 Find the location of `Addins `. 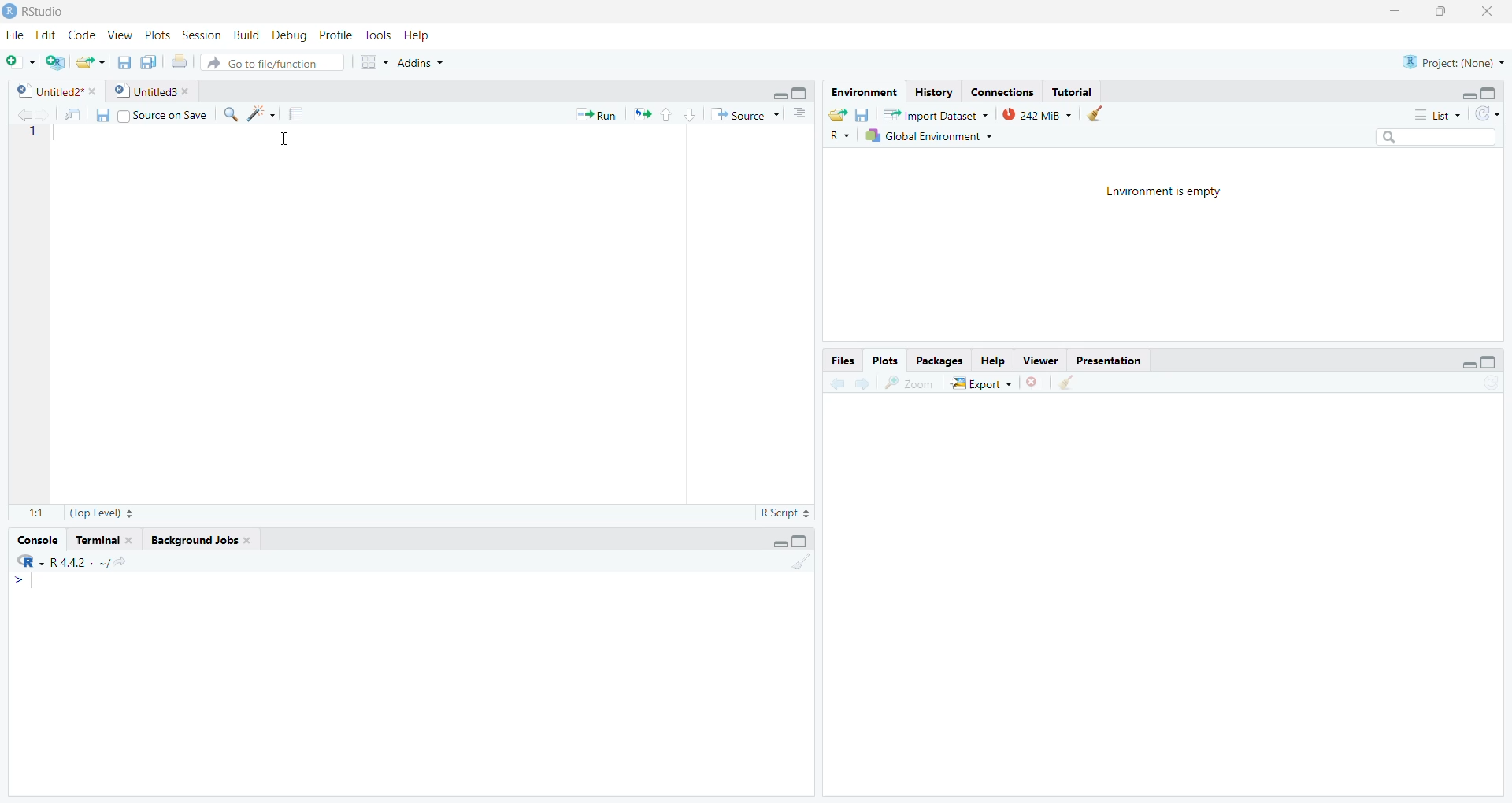

Addins  is located at coordinates (419, 61).